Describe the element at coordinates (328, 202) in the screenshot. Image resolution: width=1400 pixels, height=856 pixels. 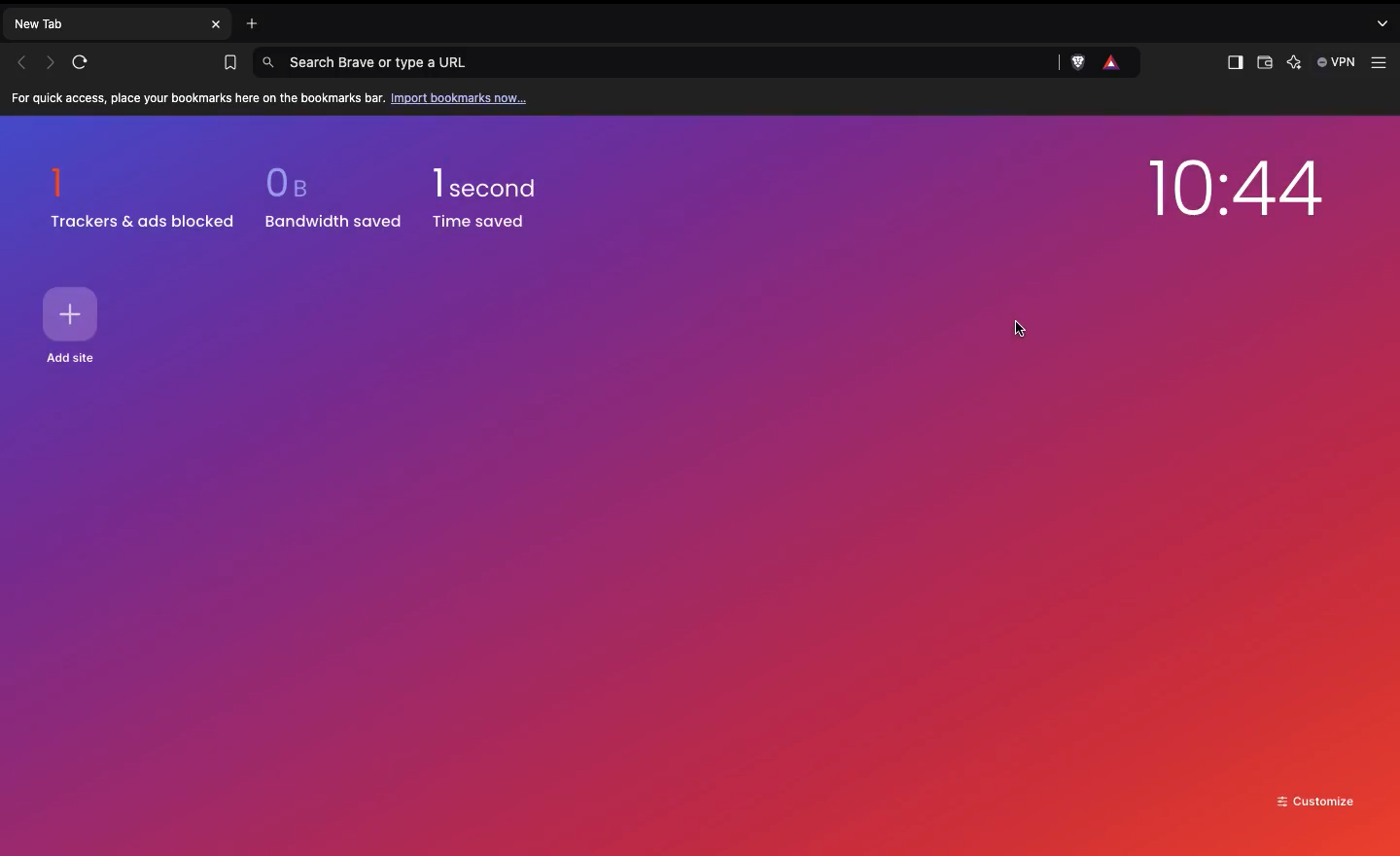
I see `0b bandwidth saved` at that location.